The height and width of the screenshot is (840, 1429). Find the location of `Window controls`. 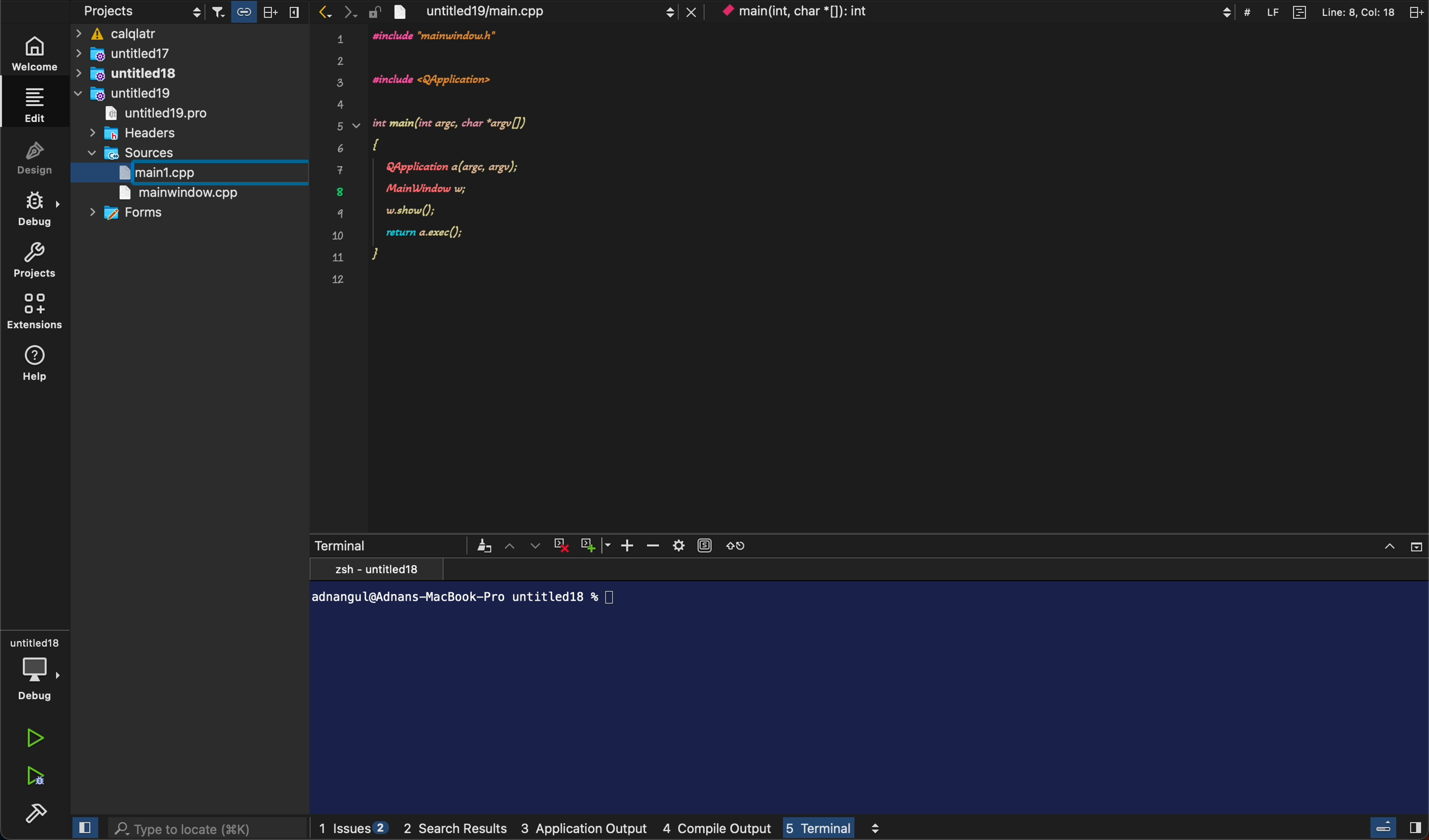

Window controls is located at coordinates (1401, 545).